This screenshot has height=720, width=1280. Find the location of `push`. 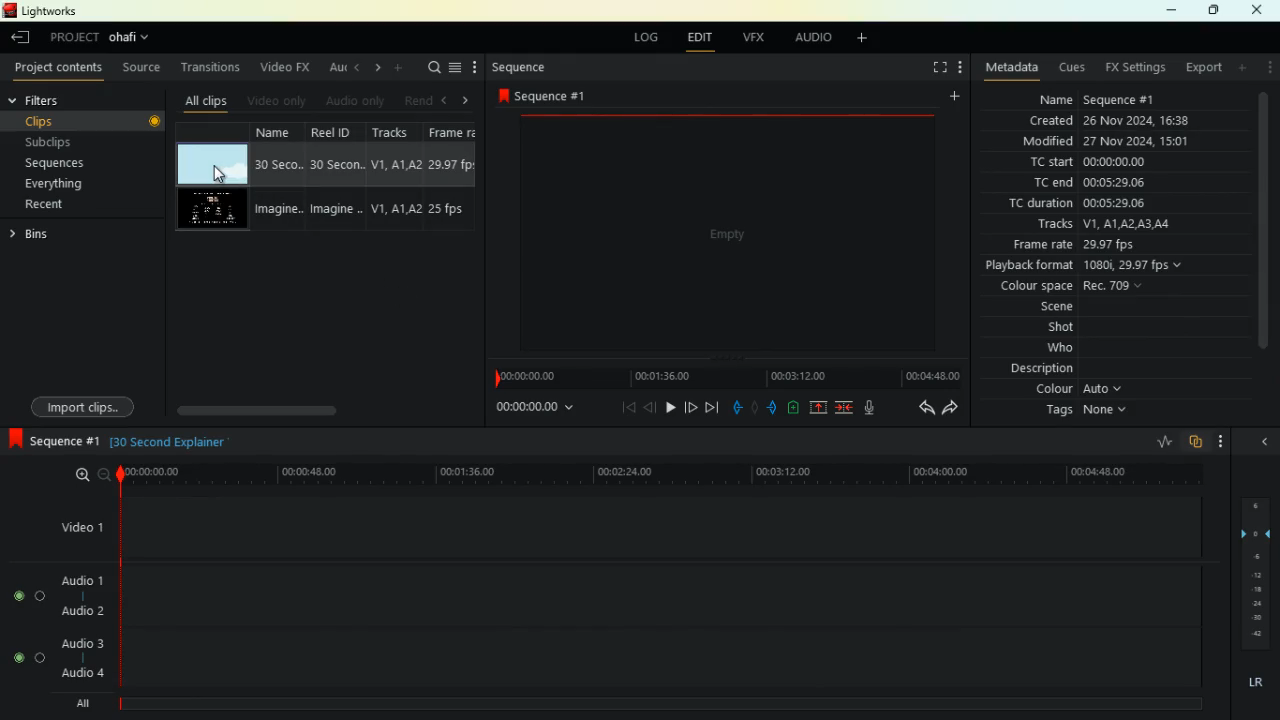

push is located at coordinates (773, 407).